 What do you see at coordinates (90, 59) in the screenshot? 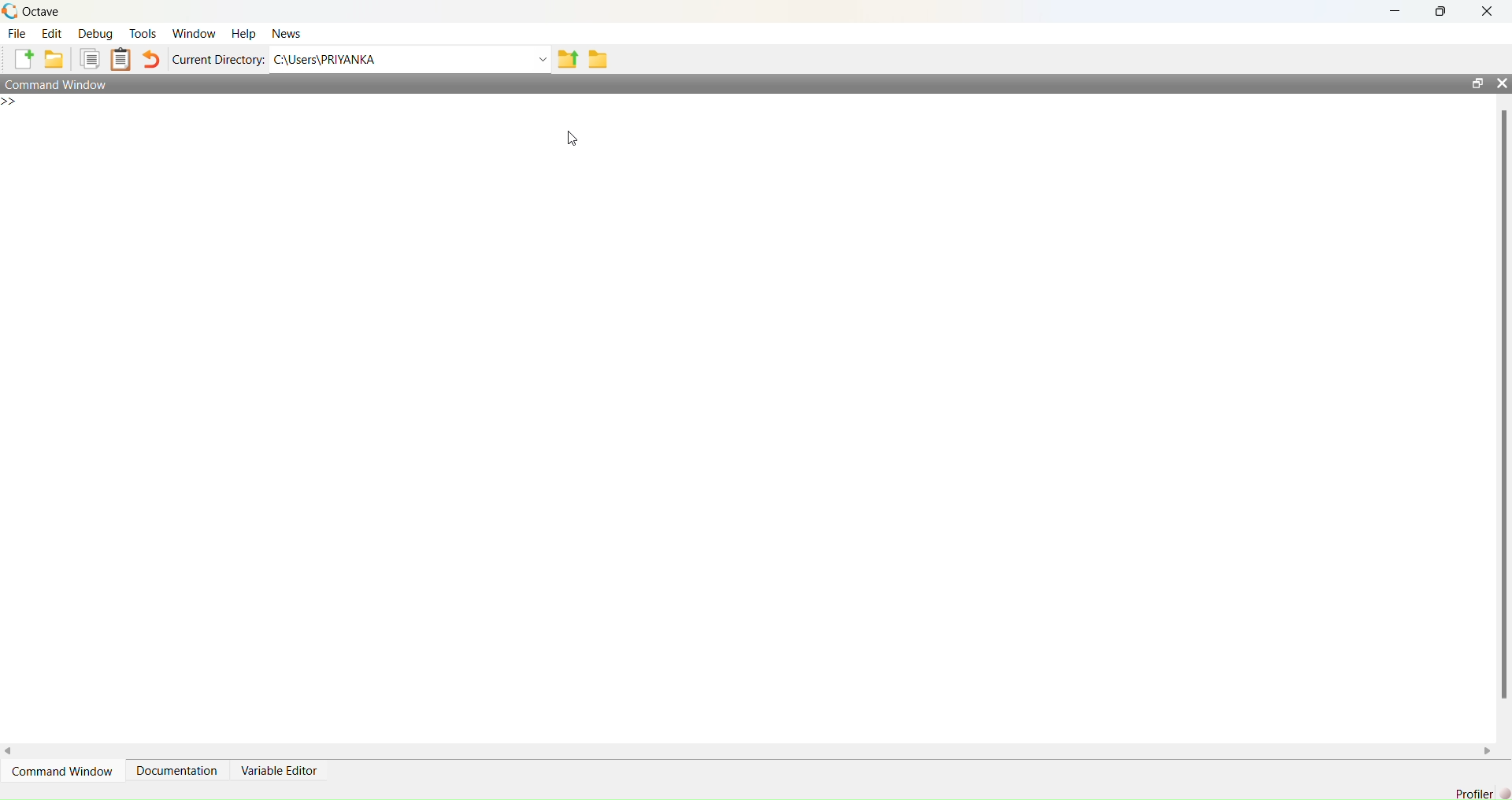
I see `copy` at bounding box center [90, 59].